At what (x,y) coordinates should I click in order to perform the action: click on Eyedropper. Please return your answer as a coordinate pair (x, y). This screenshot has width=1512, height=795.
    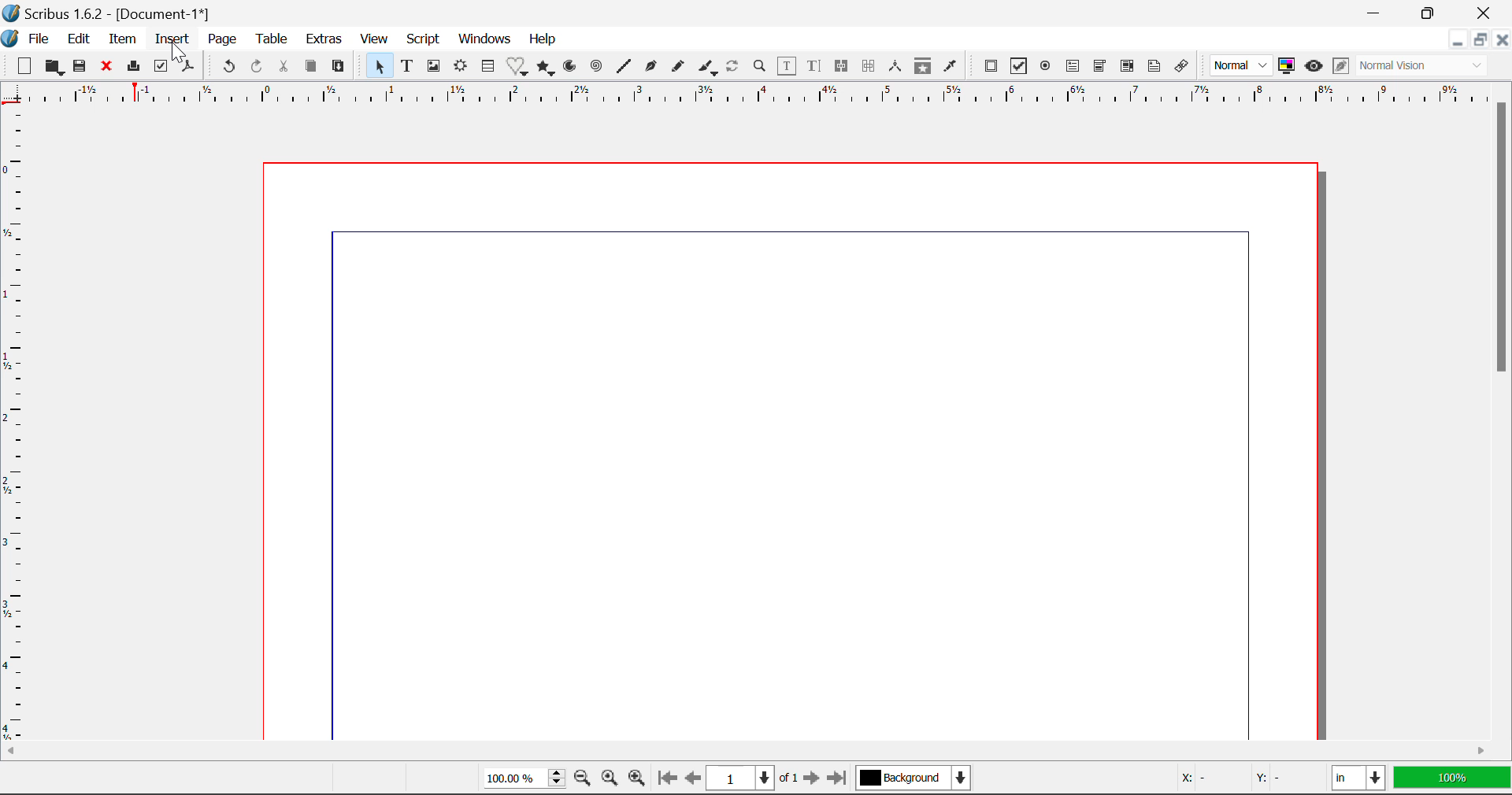
    Looking at the image, I should click on (951, 66).